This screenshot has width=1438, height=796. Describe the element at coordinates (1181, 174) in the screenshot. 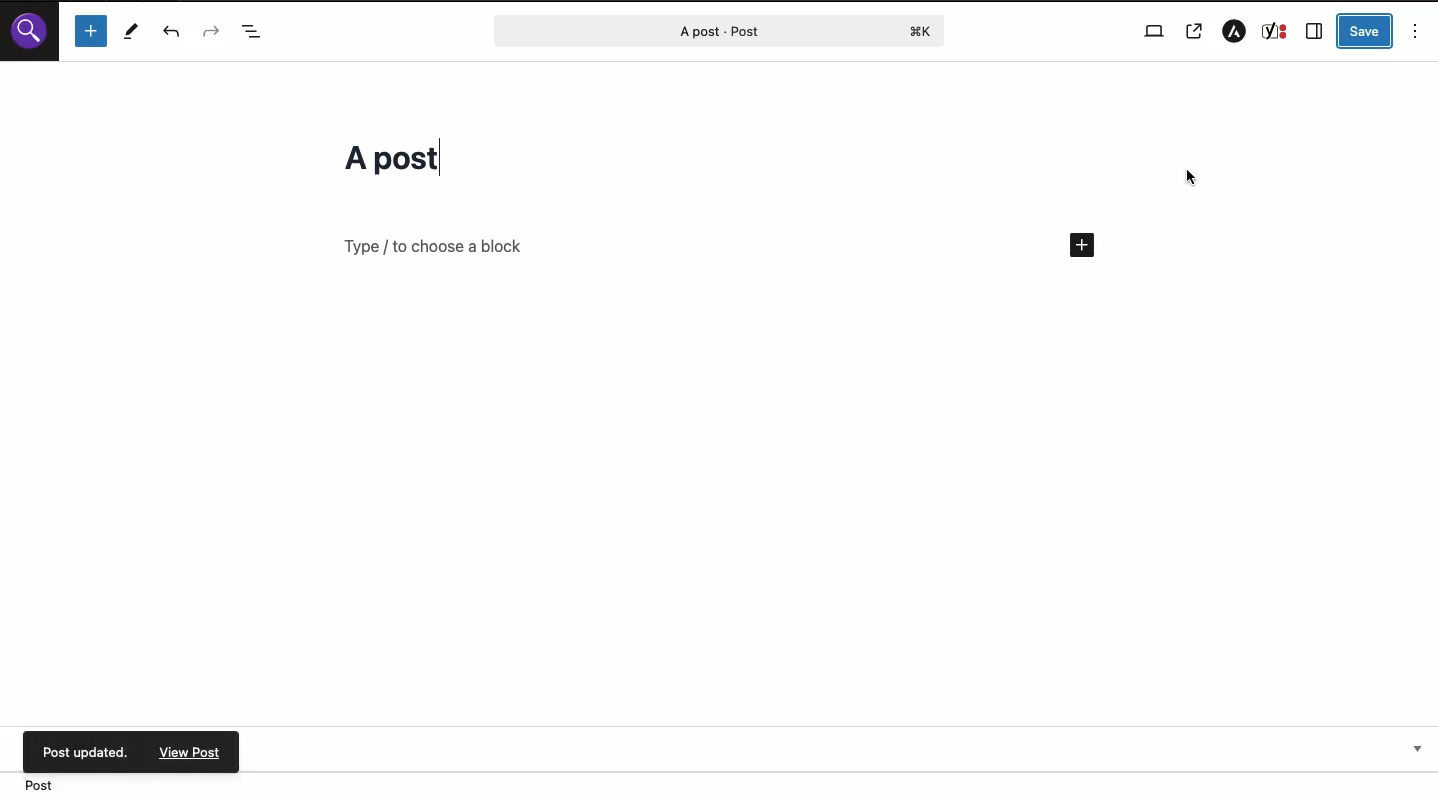

I see `Cursor` at that location.